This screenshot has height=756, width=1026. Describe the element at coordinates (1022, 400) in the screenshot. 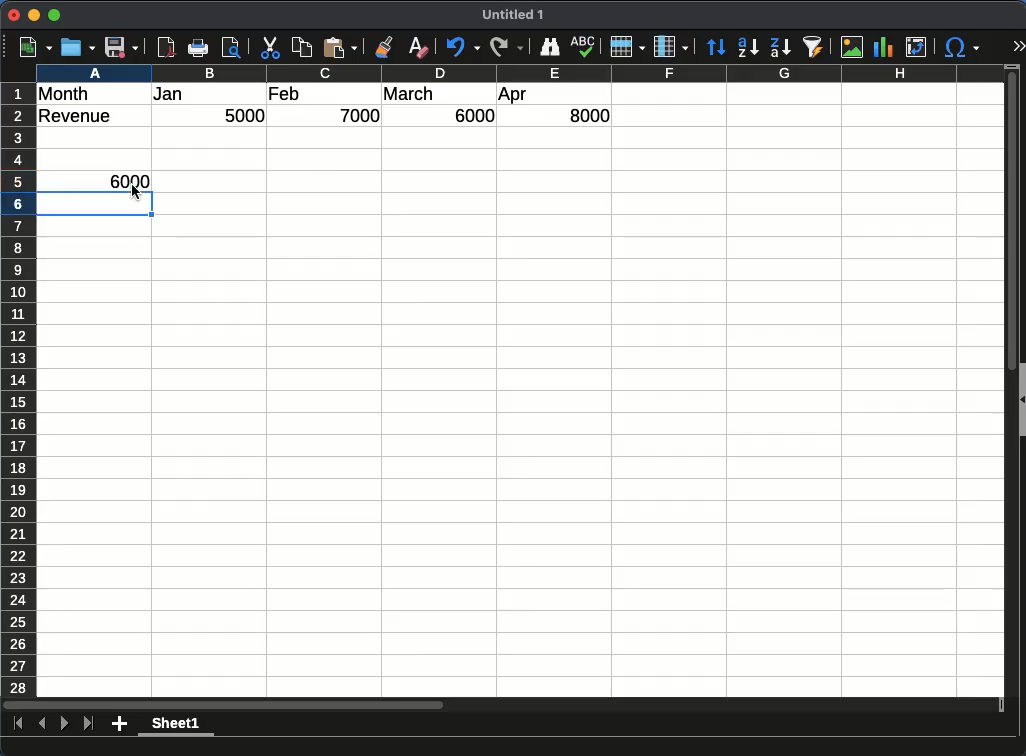

I see `Collapse/Expand` at that location.